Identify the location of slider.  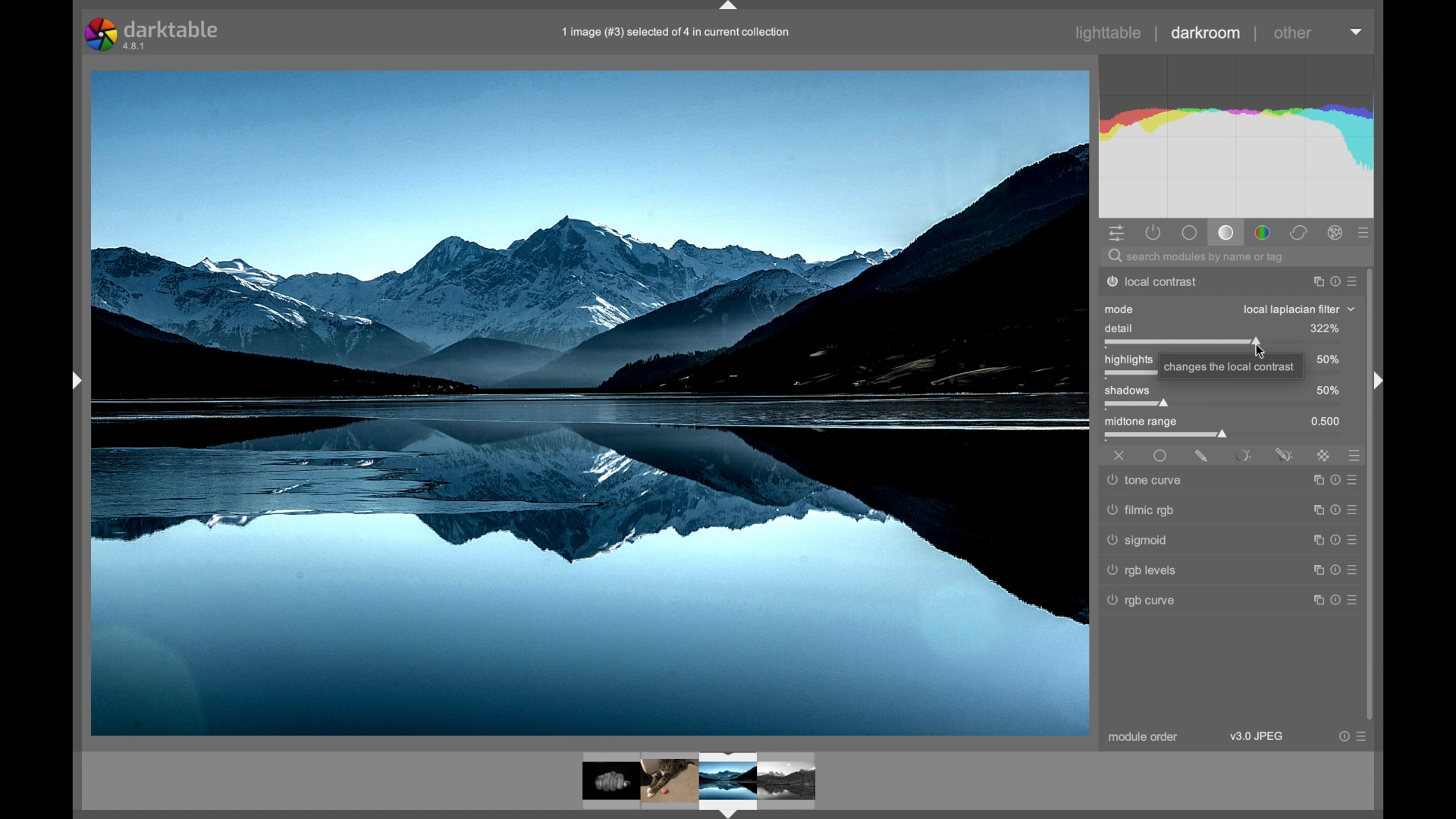
(1137, 403).